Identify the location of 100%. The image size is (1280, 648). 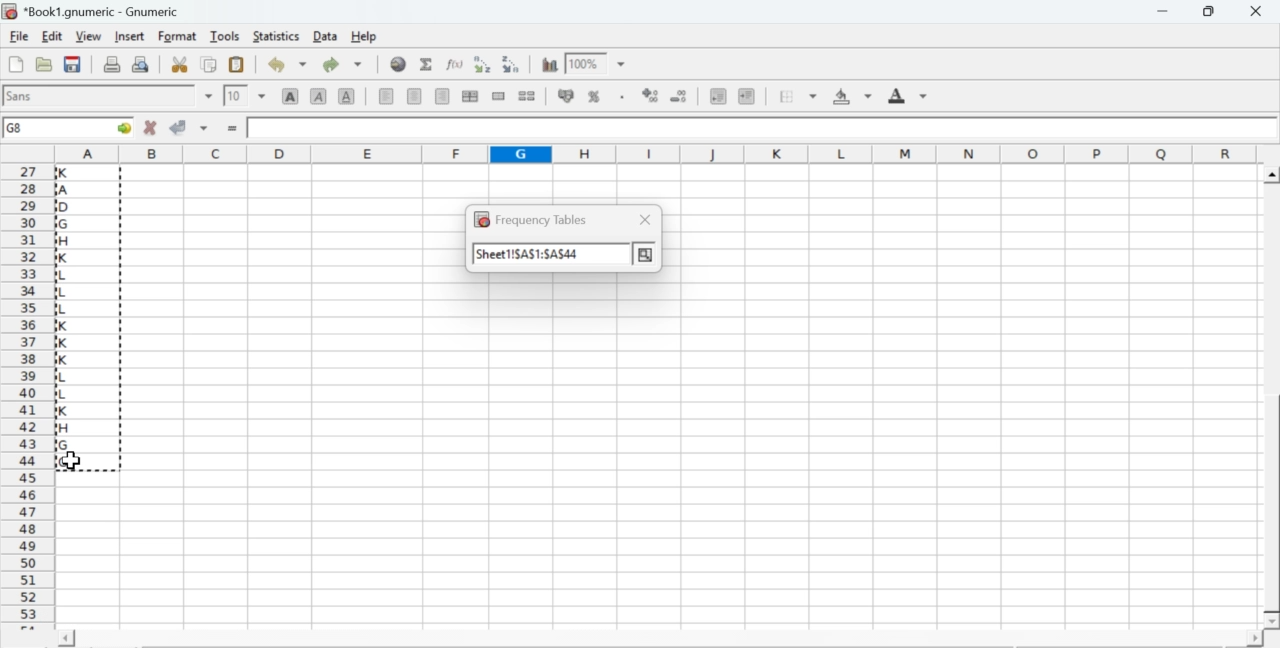
(583, 63).